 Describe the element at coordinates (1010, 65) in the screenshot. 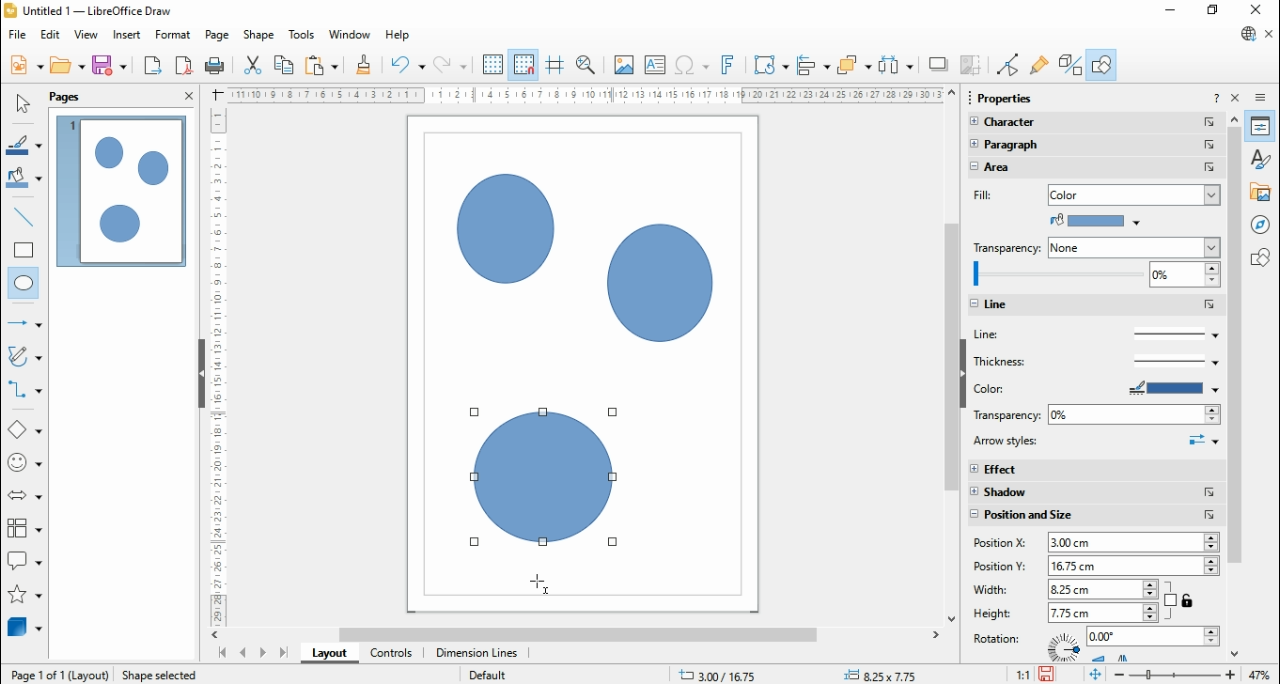

I see `toggle point edit mode` at that location.